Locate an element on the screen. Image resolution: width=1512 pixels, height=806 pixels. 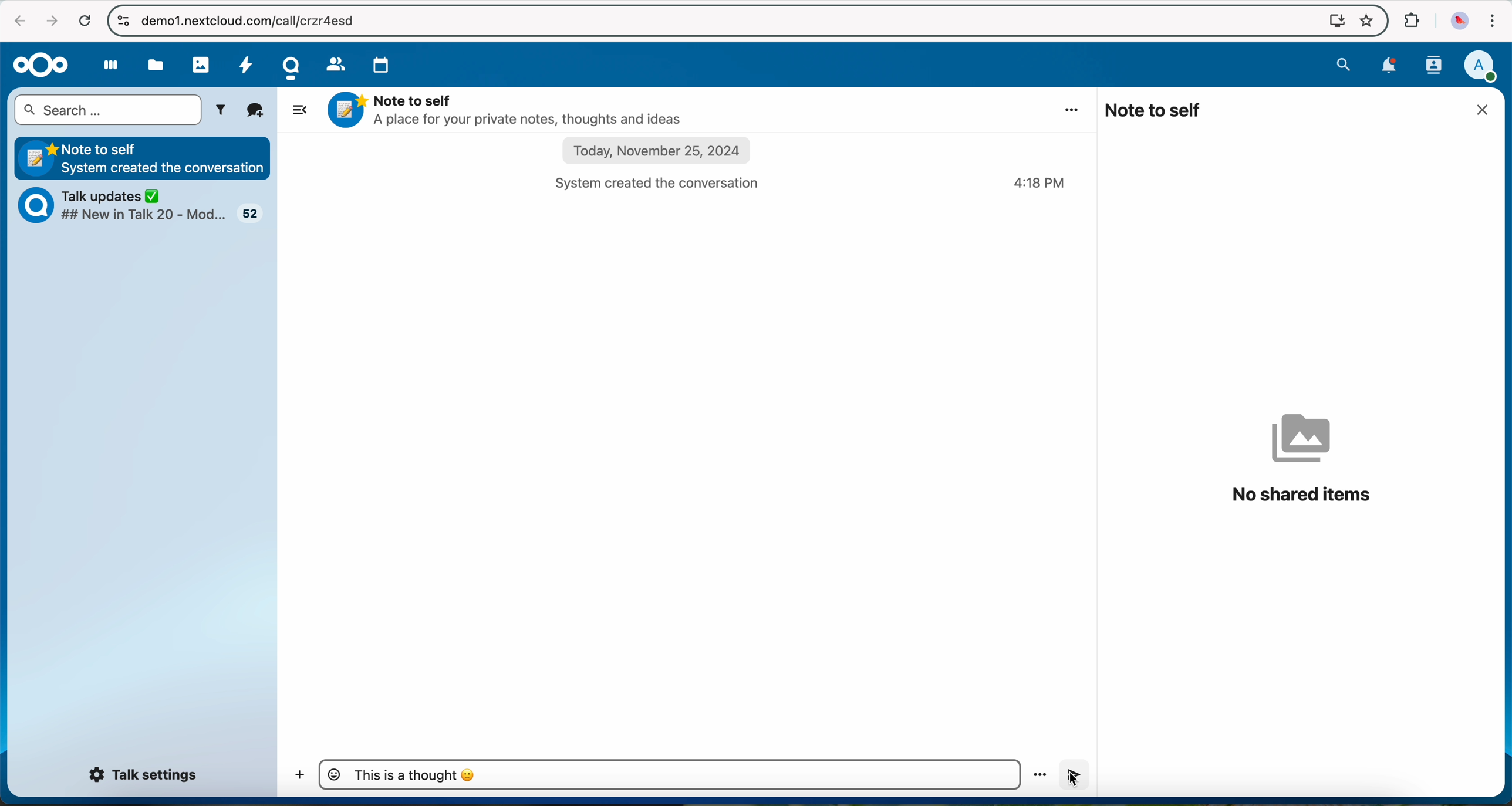
message is located at coordinates (415, 775).